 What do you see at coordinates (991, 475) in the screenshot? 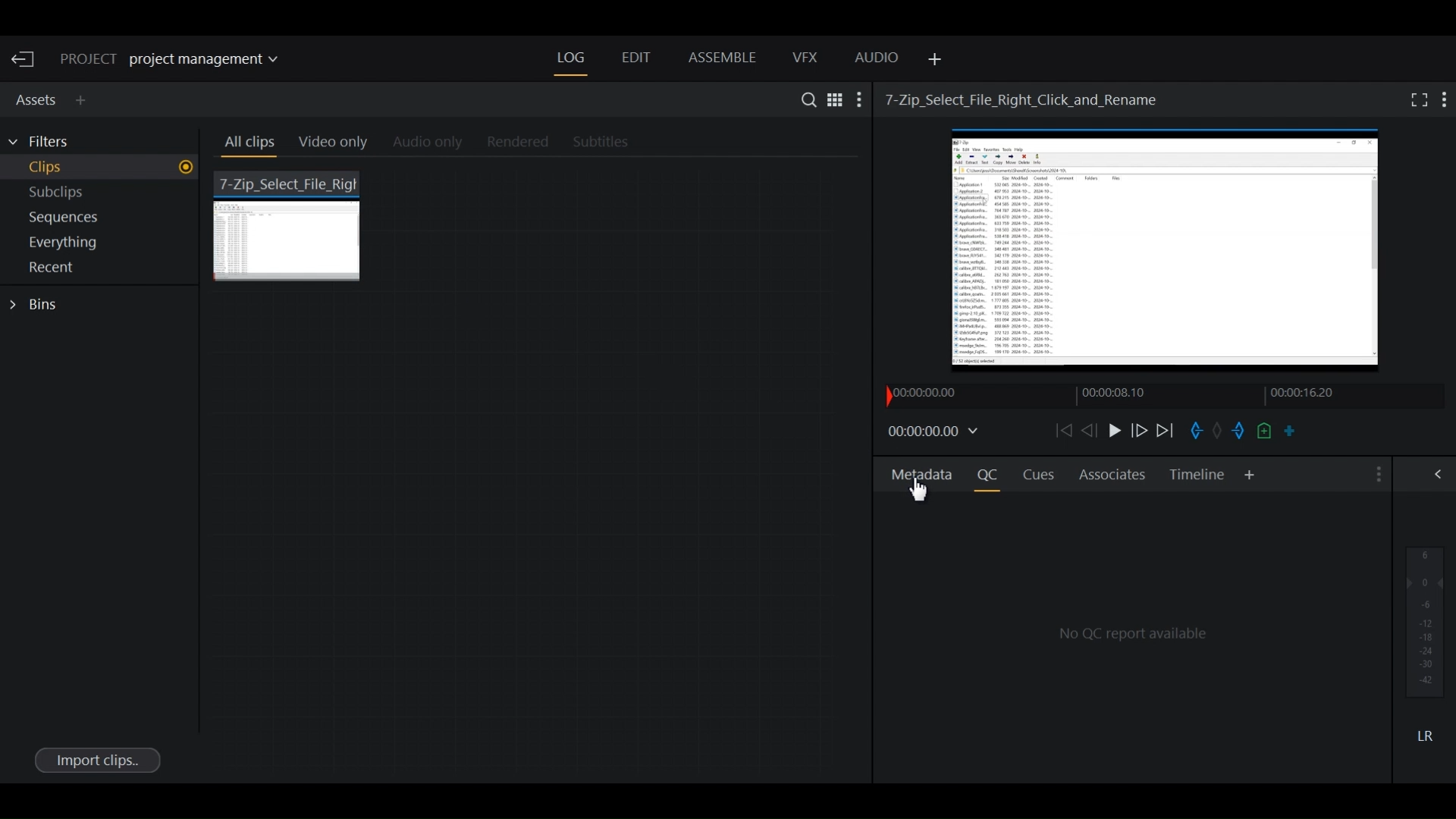
I see `Quality Control` at bounding box center [991, 475].